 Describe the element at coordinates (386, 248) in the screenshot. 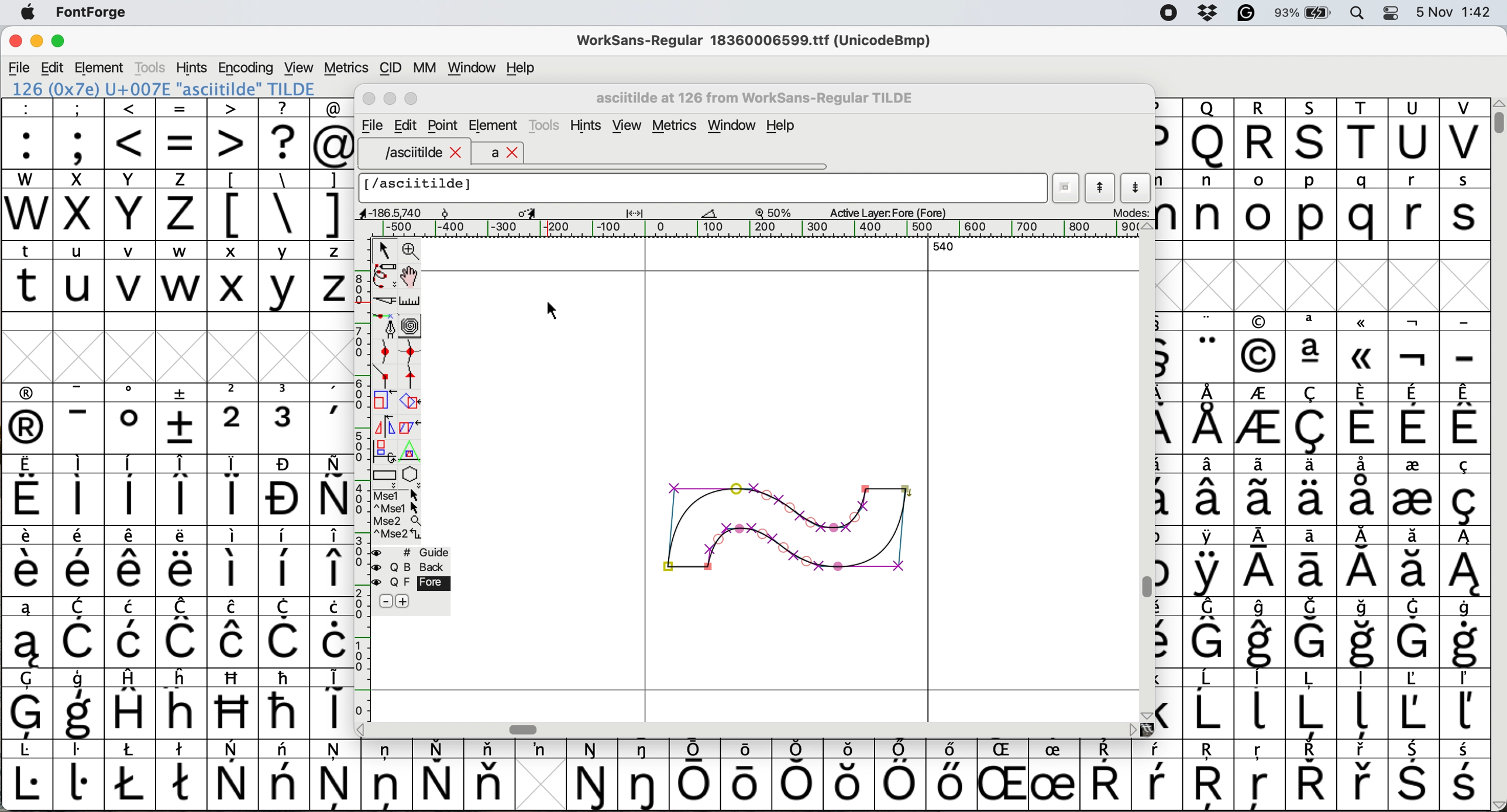

I see `select` at that location.